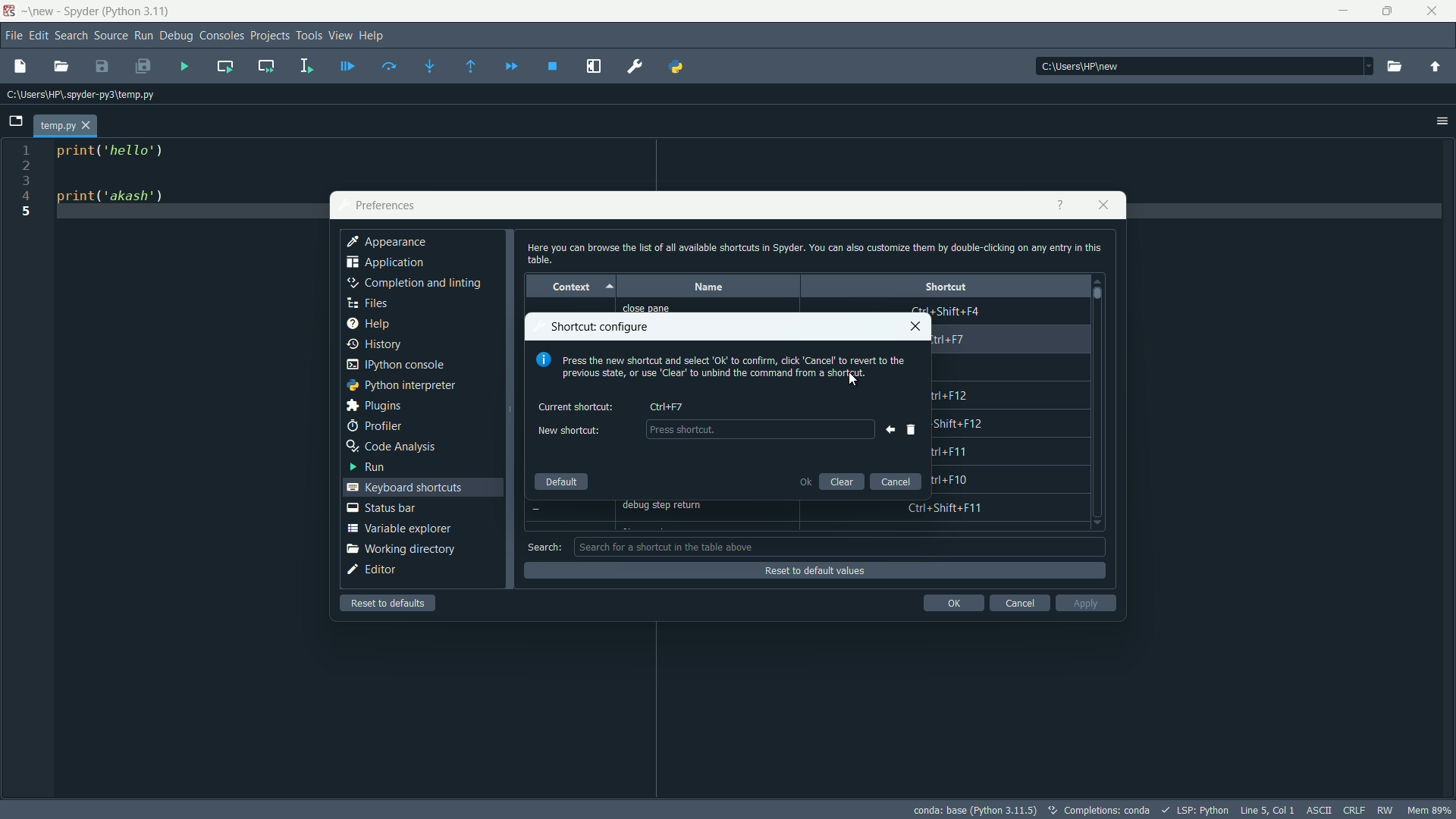 The width and height of the screenshot is (1456, 819). I want to click on projects menu, so click(270, 36).